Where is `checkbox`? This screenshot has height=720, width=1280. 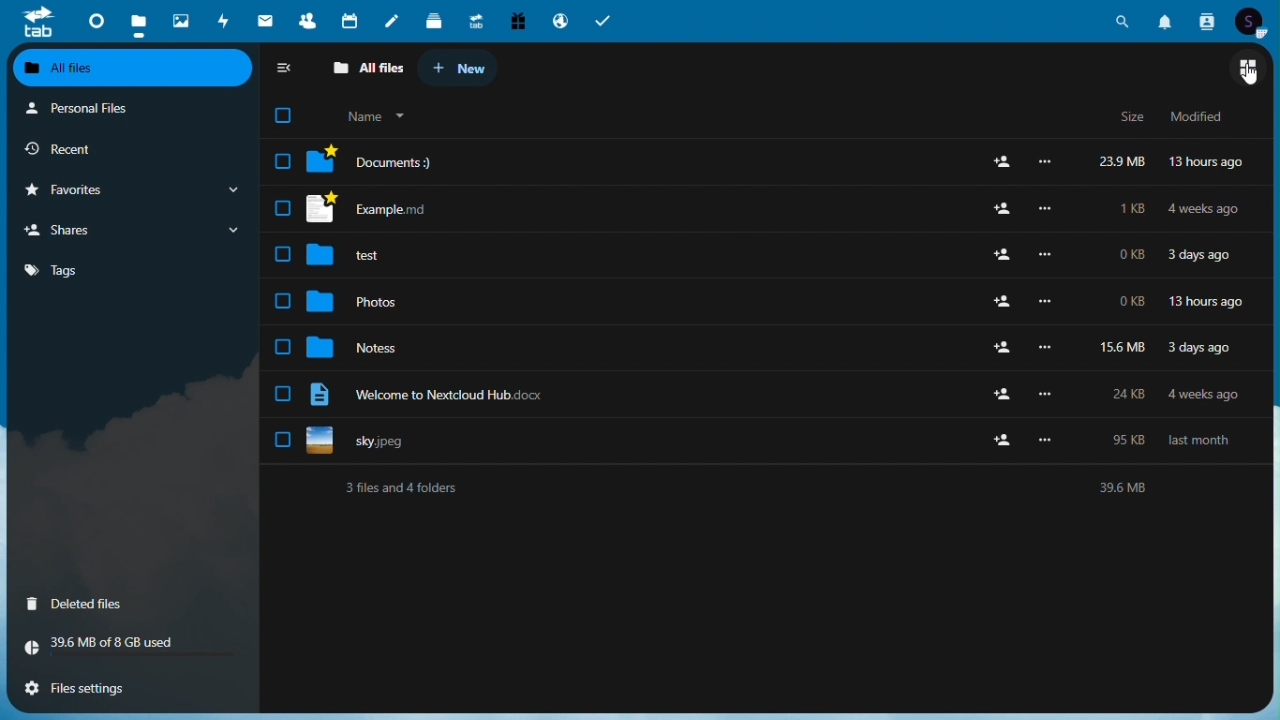 checkbox is located at coordinates (280, 301).